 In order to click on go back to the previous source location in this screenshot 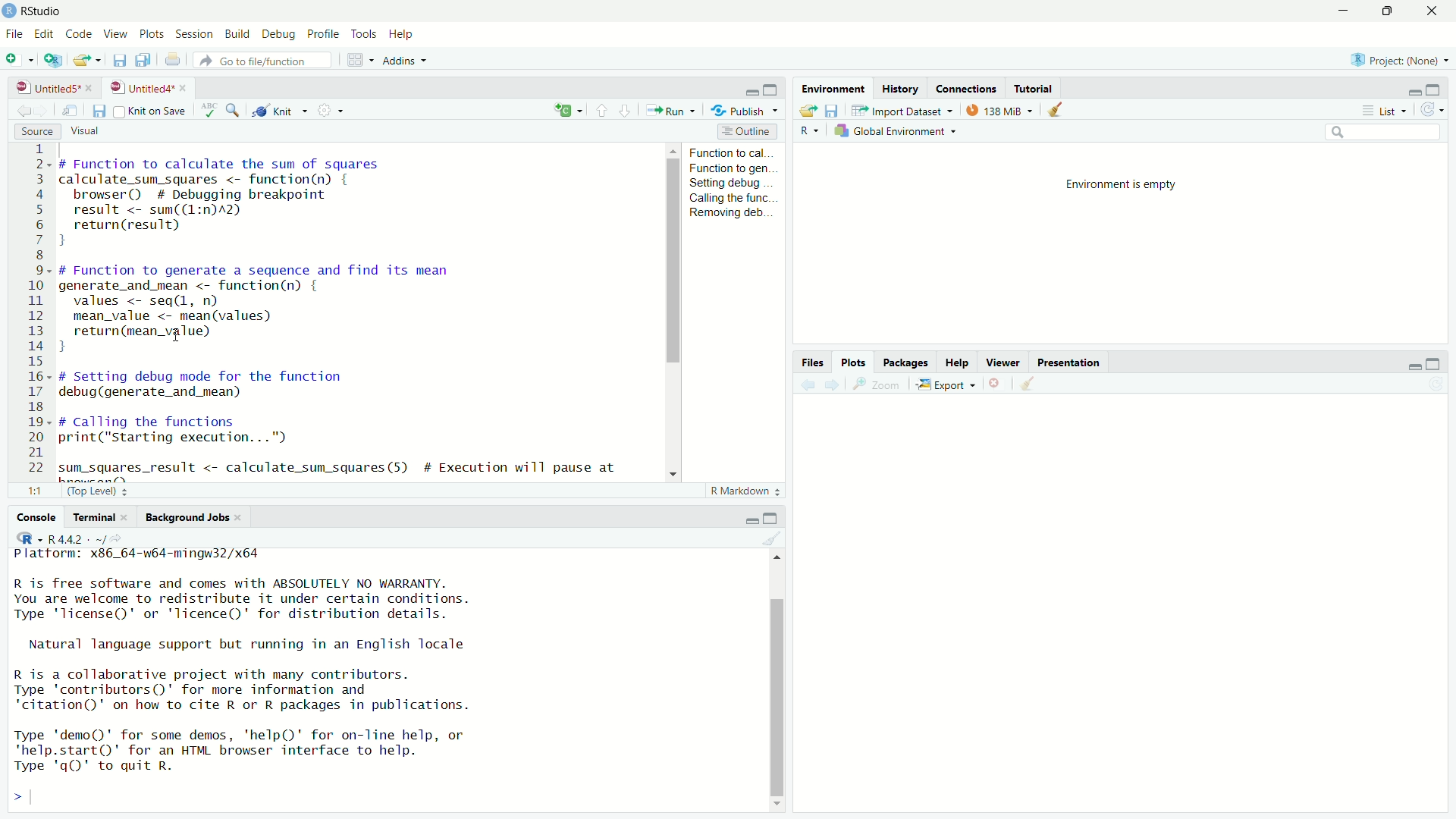, I will do `click(17, 110)`.